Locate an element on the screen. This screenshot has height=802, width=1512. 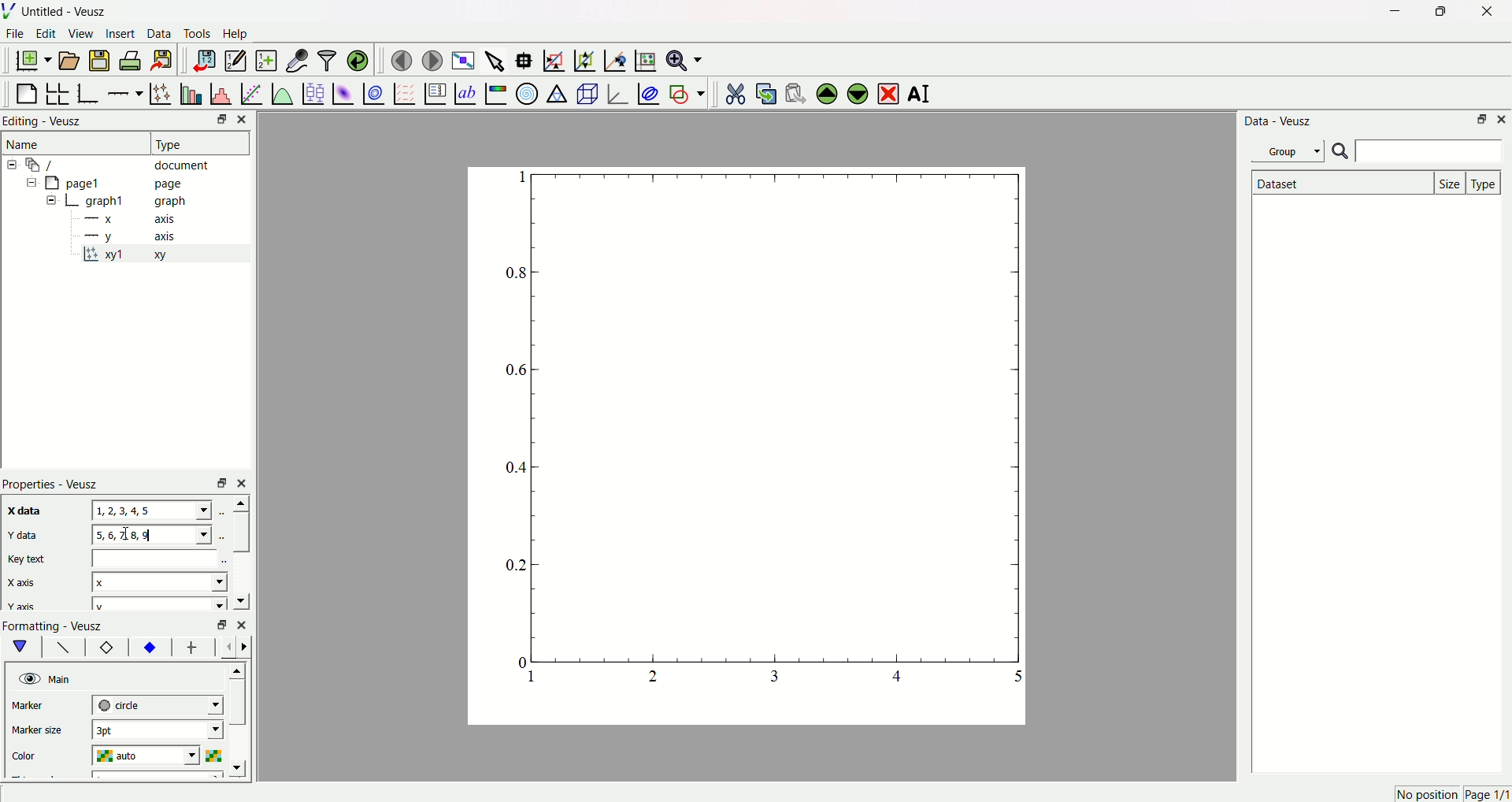
filter data is located at coordinates (326, 58).